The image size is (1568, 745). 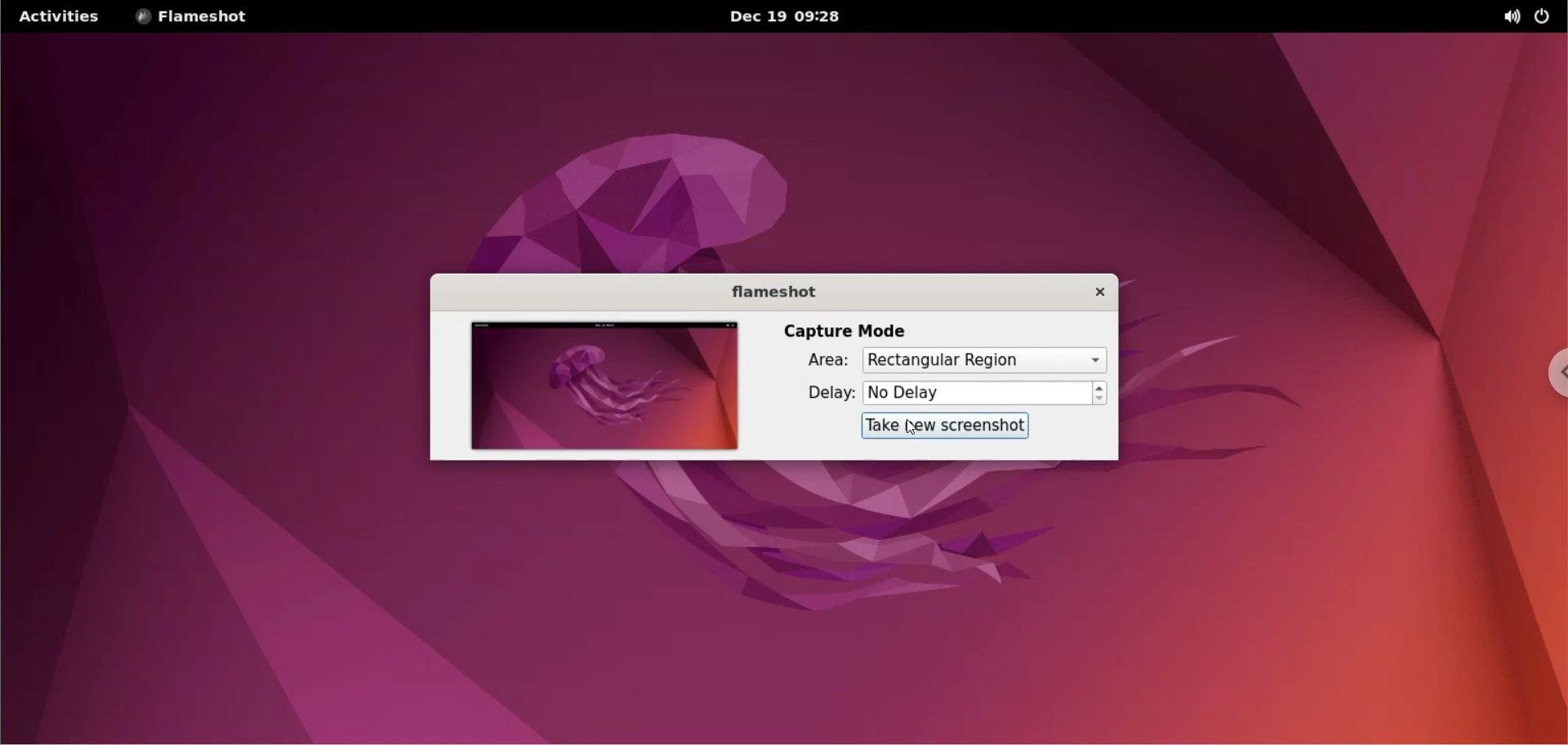 What do you see at coordinates (1546, 18) in the screenshot?
I see `power button` at bounding box center [1546, 18].